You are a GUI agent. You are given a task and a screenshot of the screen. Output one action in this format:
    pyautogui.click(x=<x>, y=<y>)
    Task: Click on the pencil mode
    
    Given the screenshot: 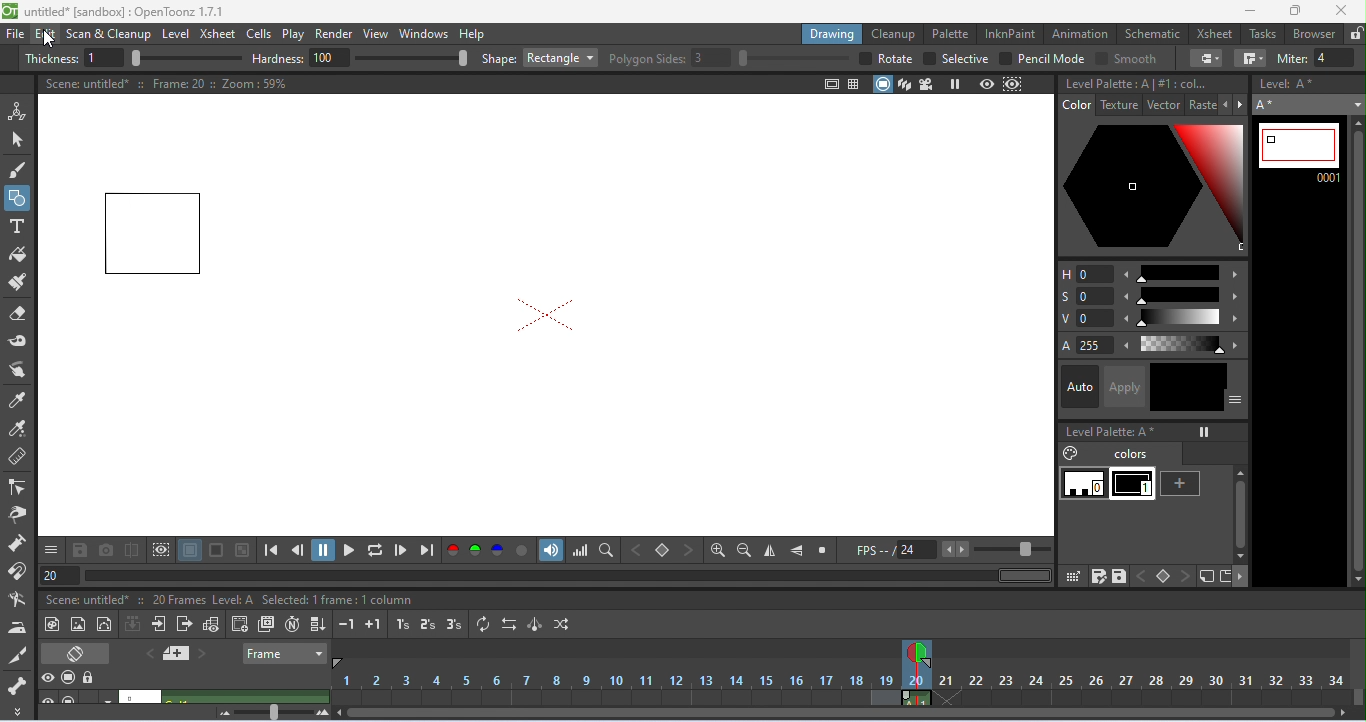 What is the action you would take?
    pyautogui.click(x=1041, y=59)
    